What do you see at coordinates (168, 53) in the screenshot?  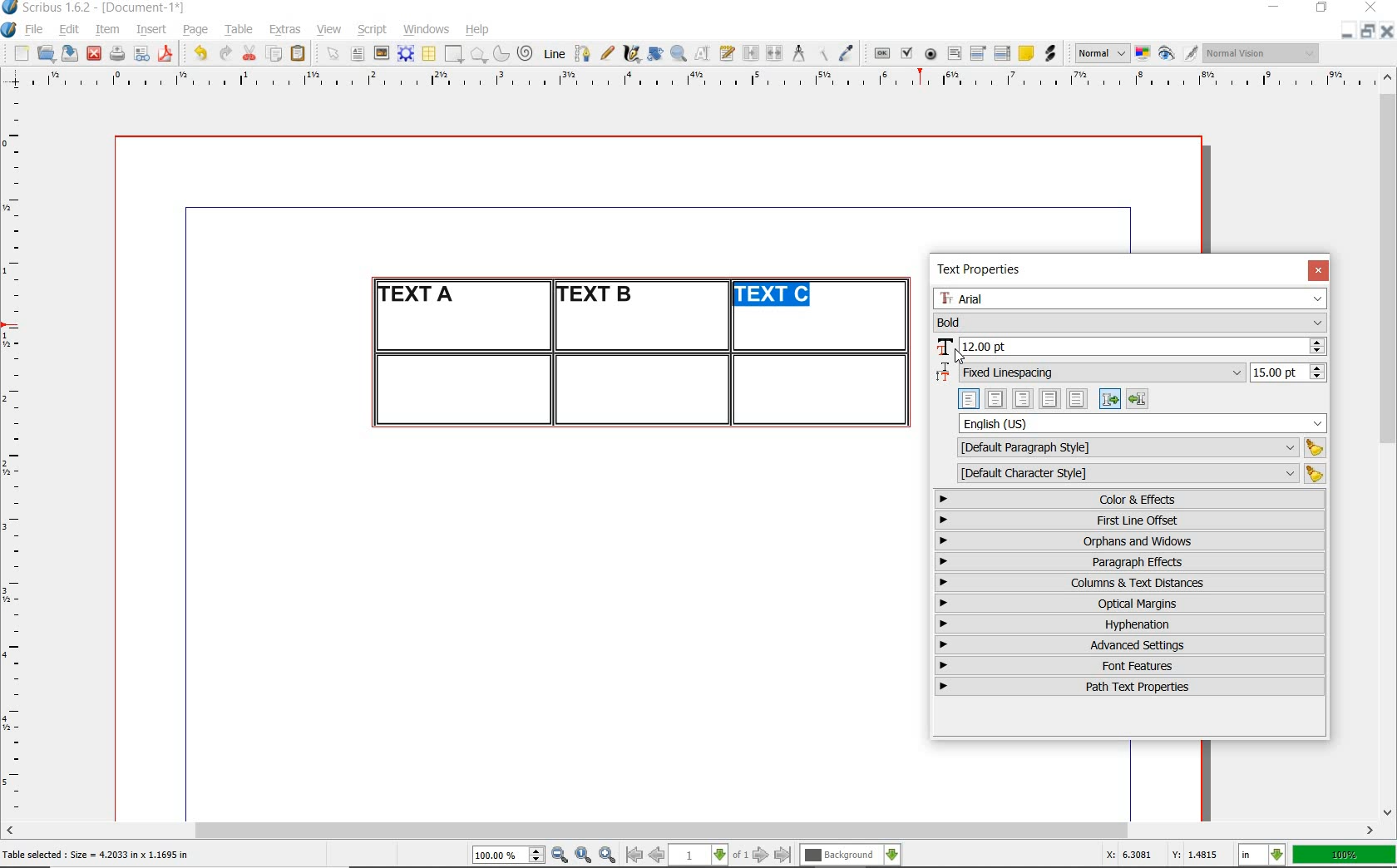 I see `save as pdf` at bounding box center [168, 53].